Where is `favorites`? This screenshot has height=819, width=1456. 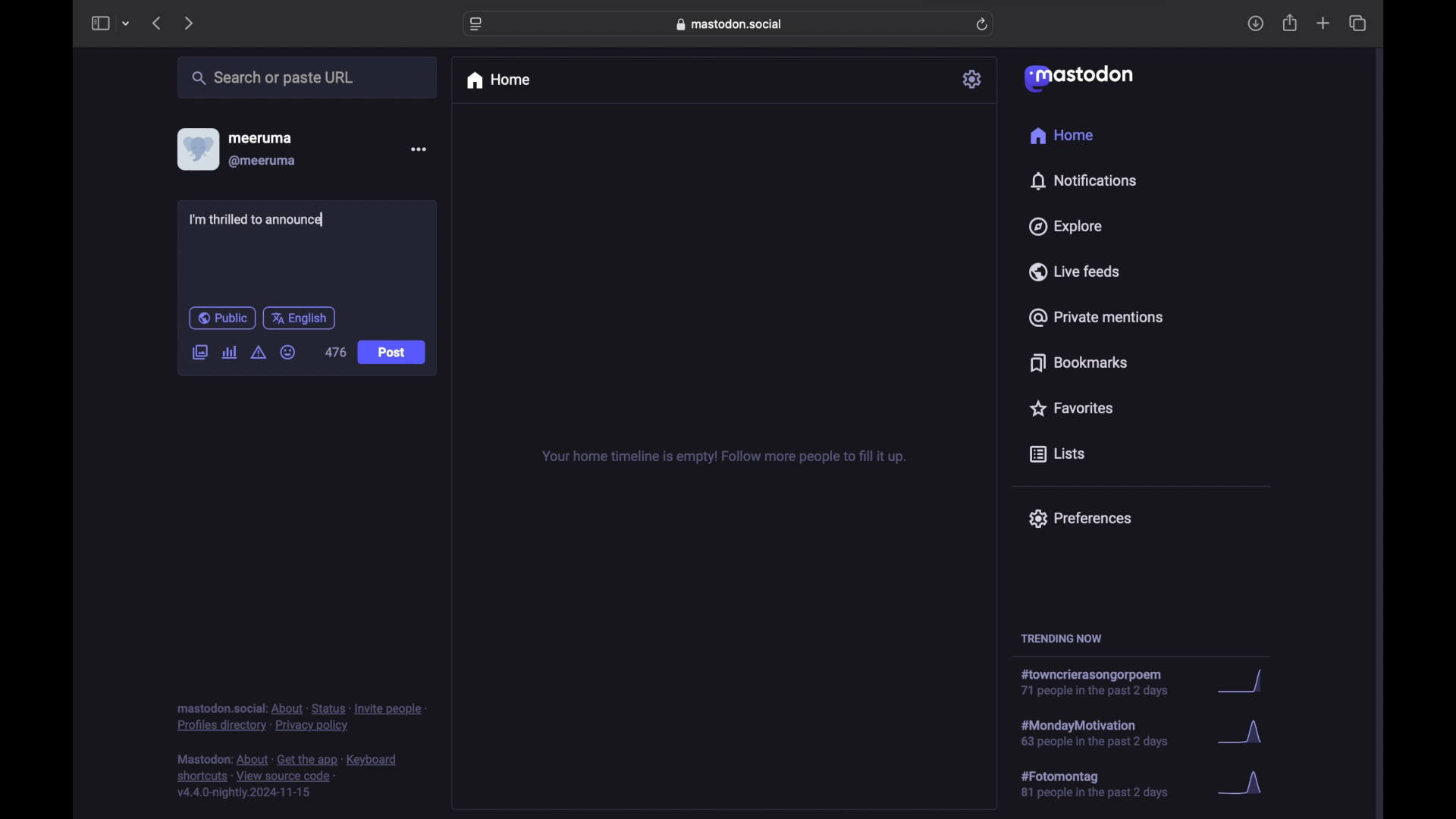
favorites is located at coordinates (1071, 408).